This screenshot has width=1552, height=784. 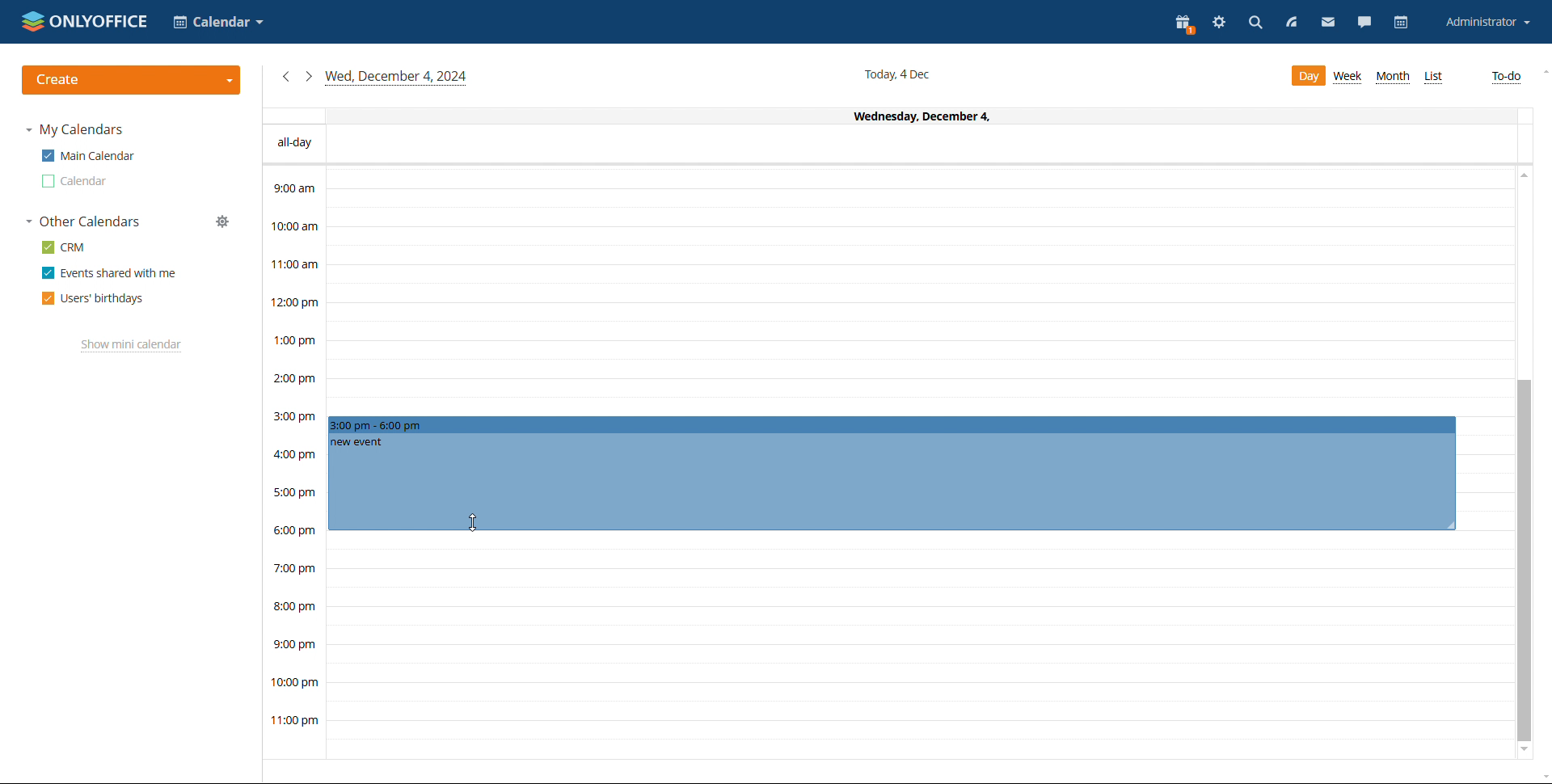 I want to click on date, so click(x=886, y=116).